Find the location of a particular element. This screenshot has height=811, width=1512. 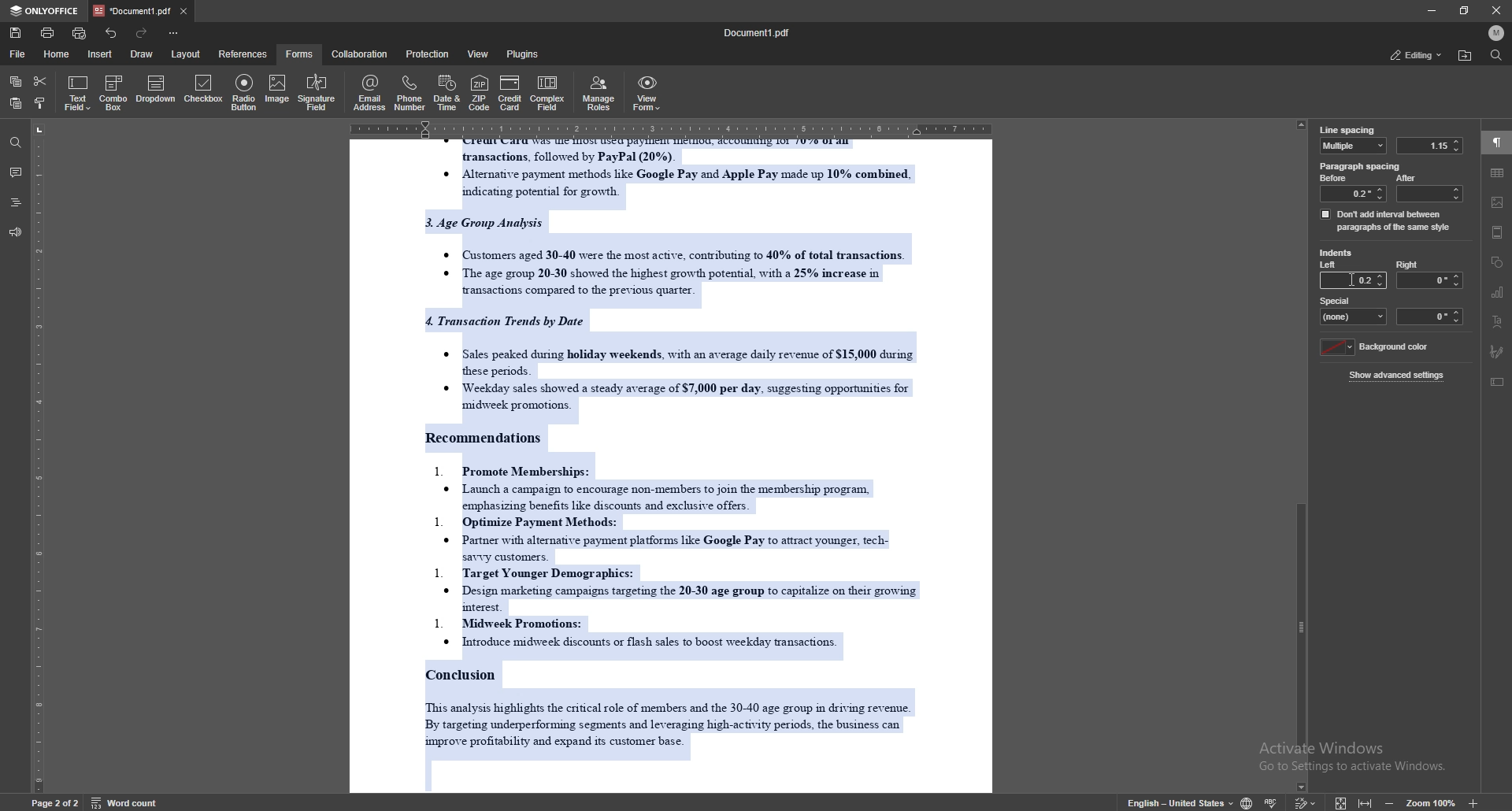

feedback is located at coordinates (15, 233).